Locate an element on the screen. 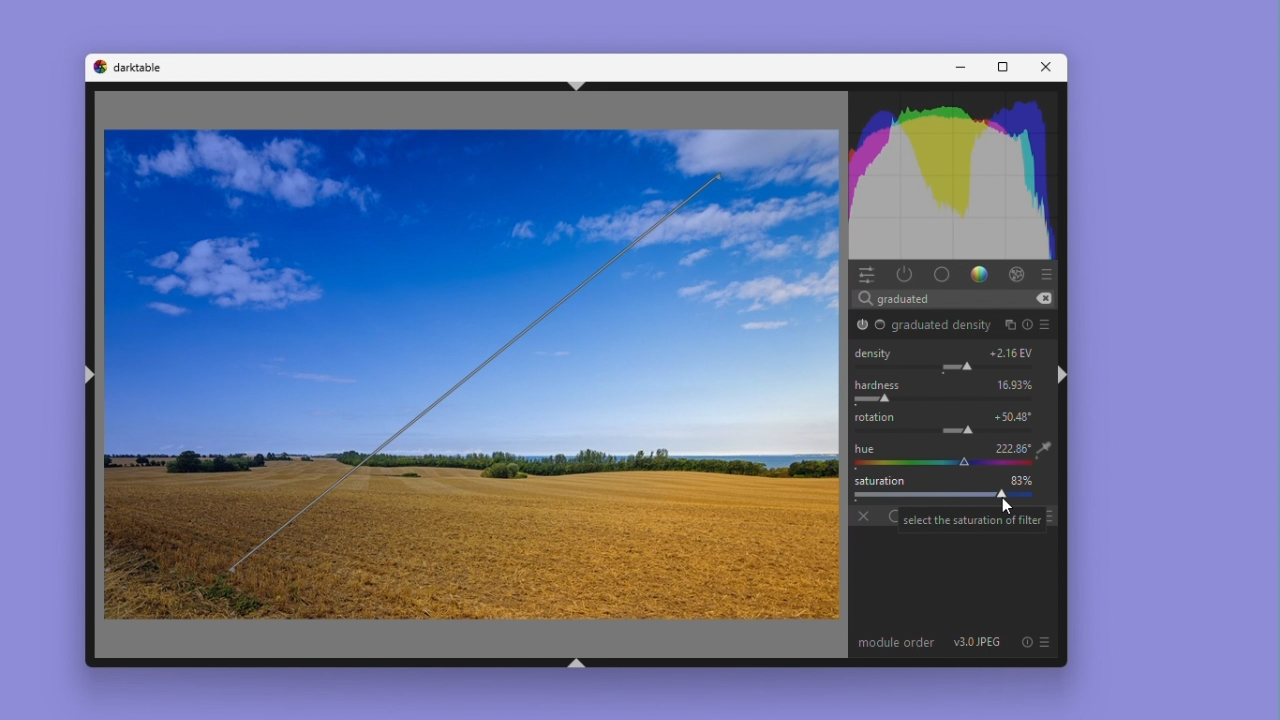  cursor is located at coordinates (1004, 505).